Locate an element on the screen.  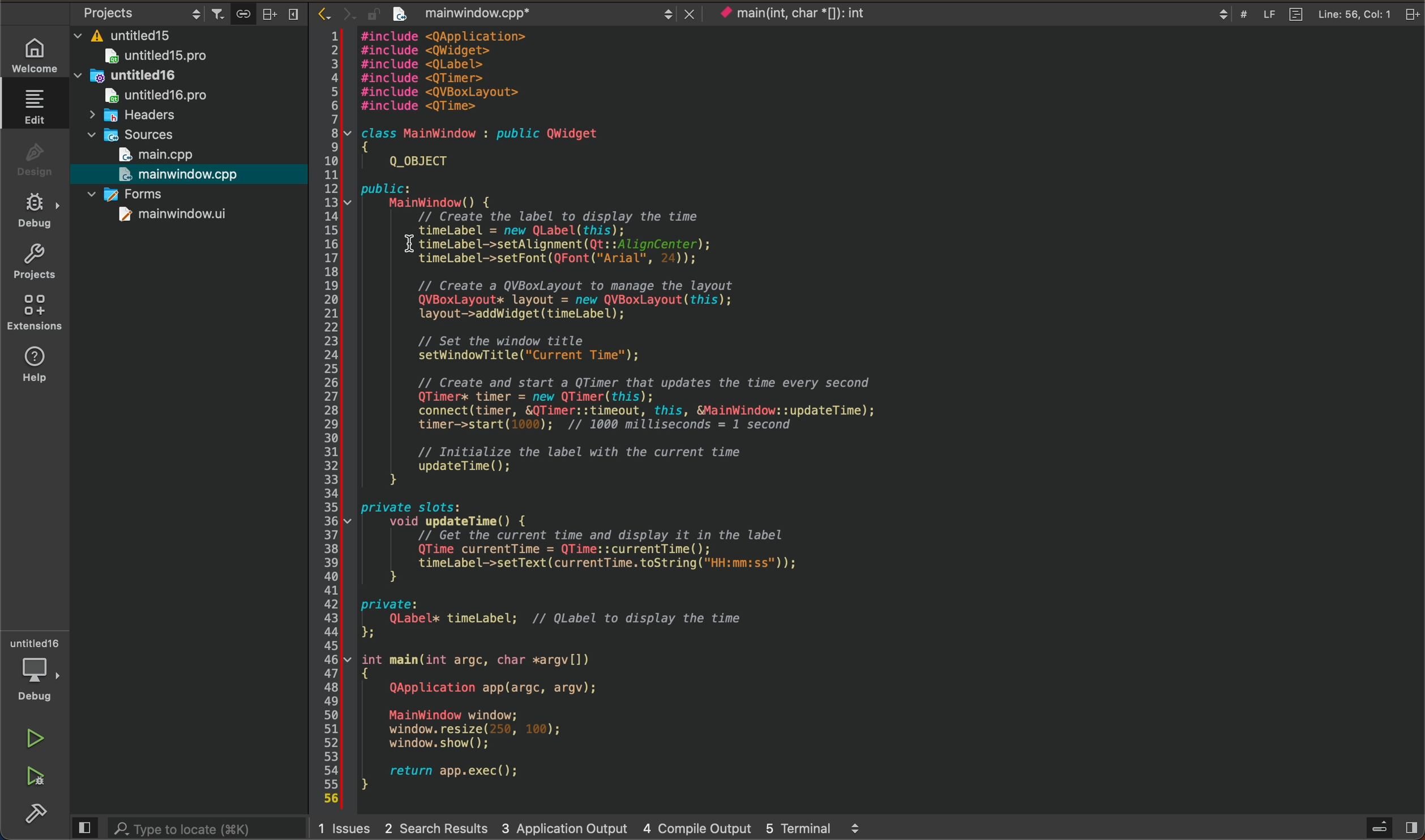
Next is located at coordinates (348, 12).